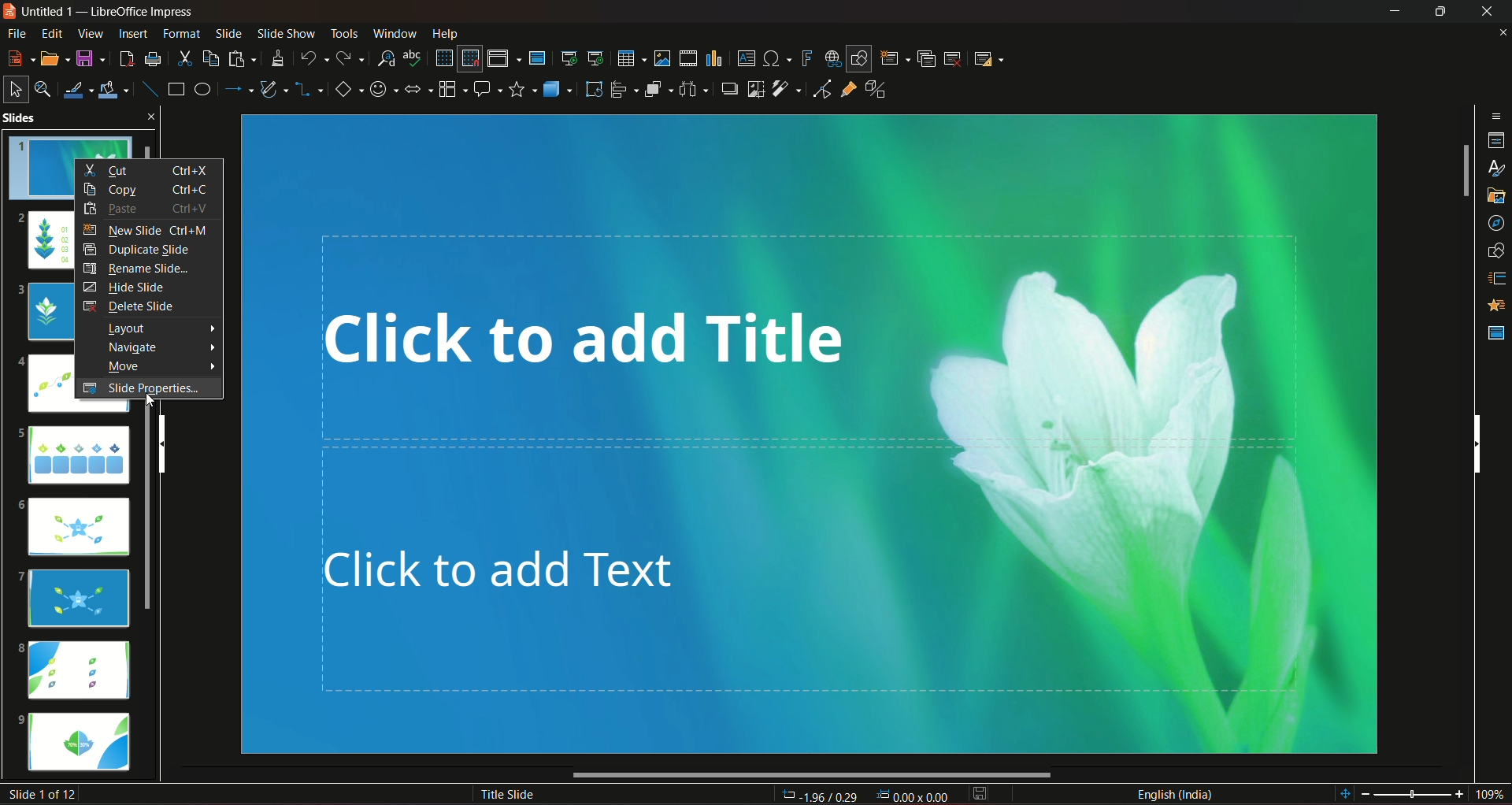 This screenshot has width=1512, height=805. Describe the element at coordinates (196, 231) in the screenshot. I see `ctrl+m` at that location.